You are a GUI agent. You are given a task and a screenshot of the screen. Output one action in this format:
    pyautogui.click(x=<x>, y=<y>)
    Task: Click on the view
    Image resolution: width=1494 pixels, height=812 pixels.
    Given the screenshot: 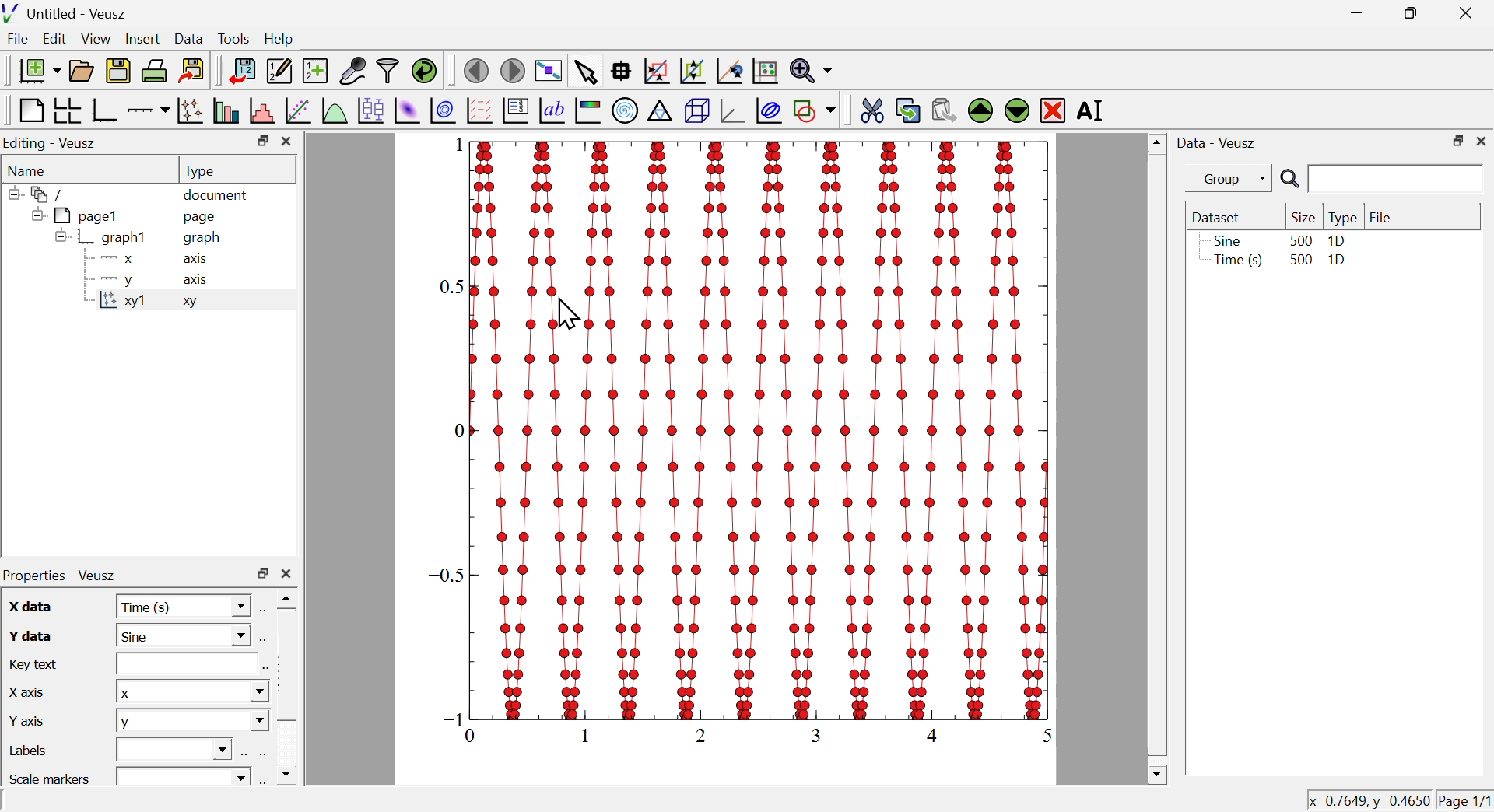 What is the action you would take?
    pyautogui.click(x=97, y=38)
    